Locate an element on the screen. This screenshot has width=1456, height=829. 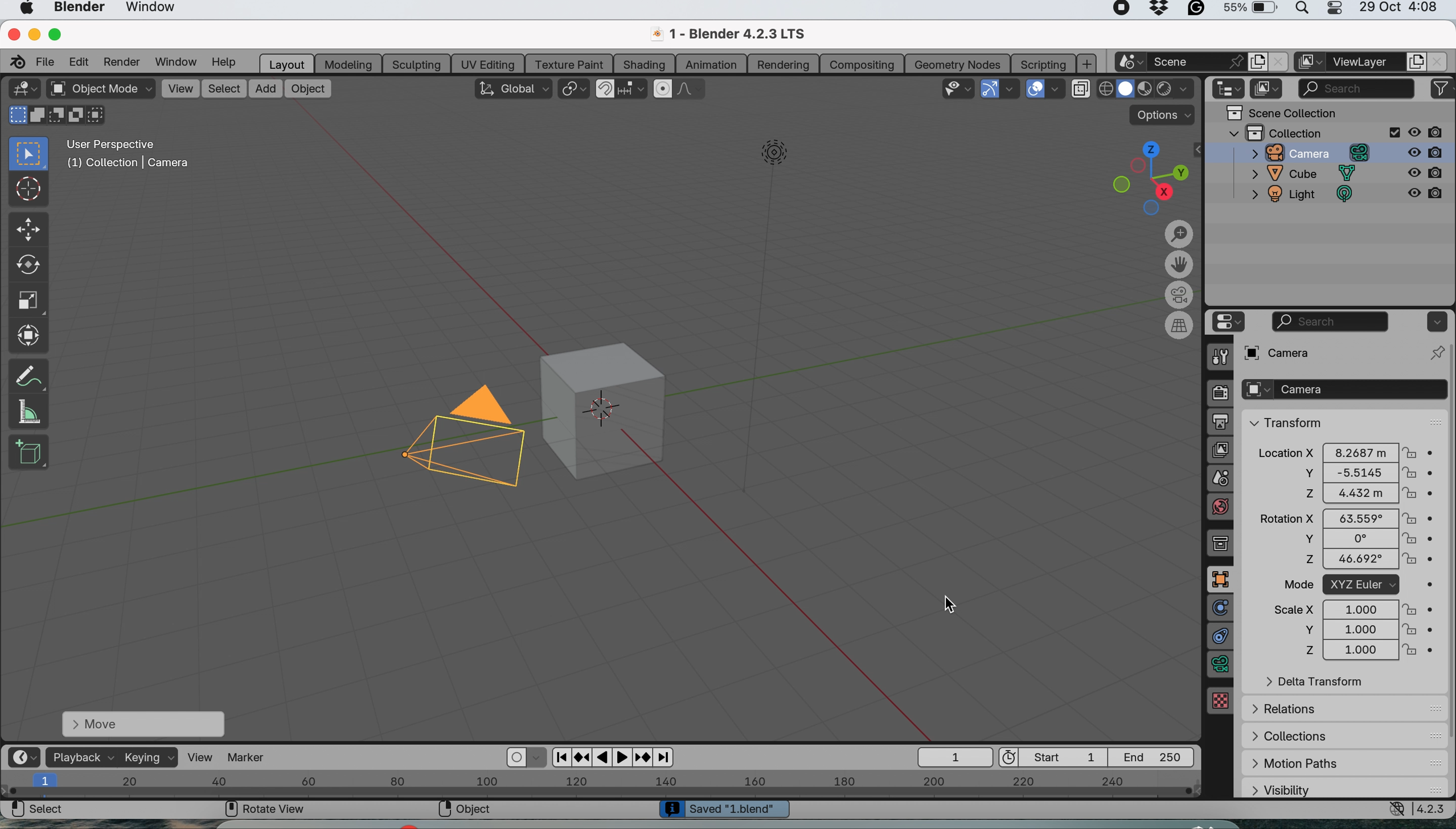
object is located at coordinates (1222, 578).